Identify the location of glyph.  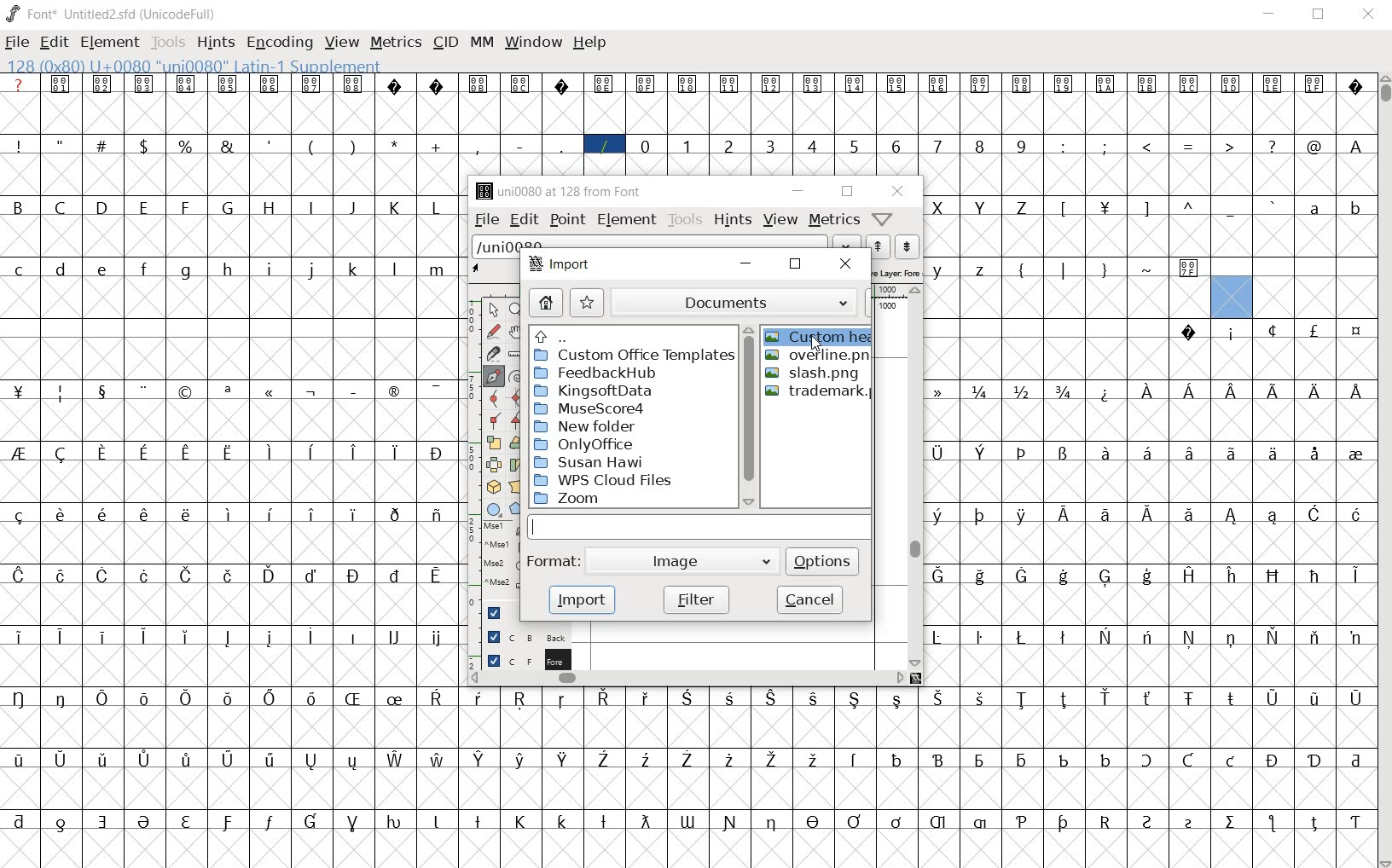
(981, 453).